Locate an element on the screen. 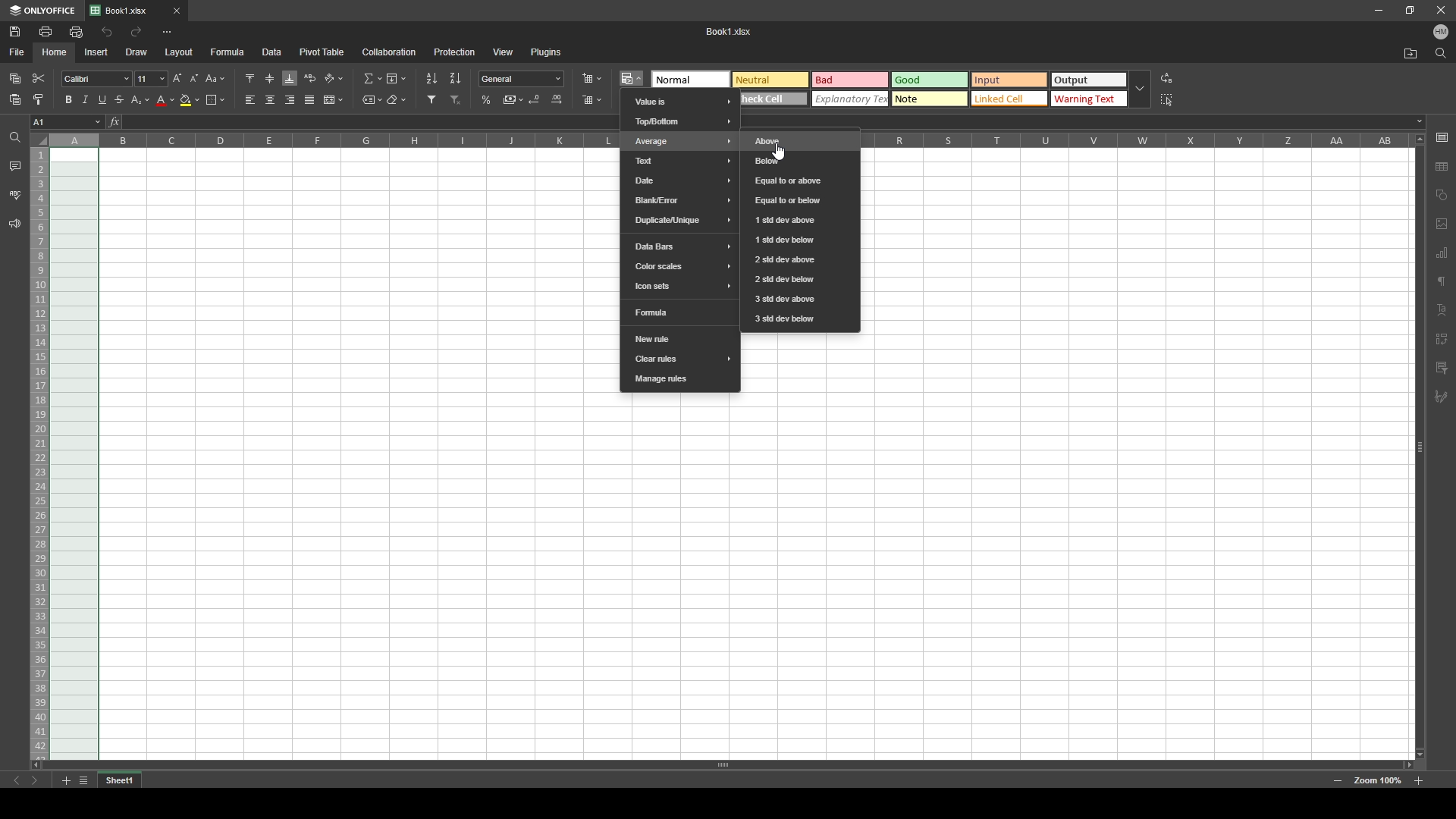 The image size is (1456, 819). print file is located at coordinates (45, 31).